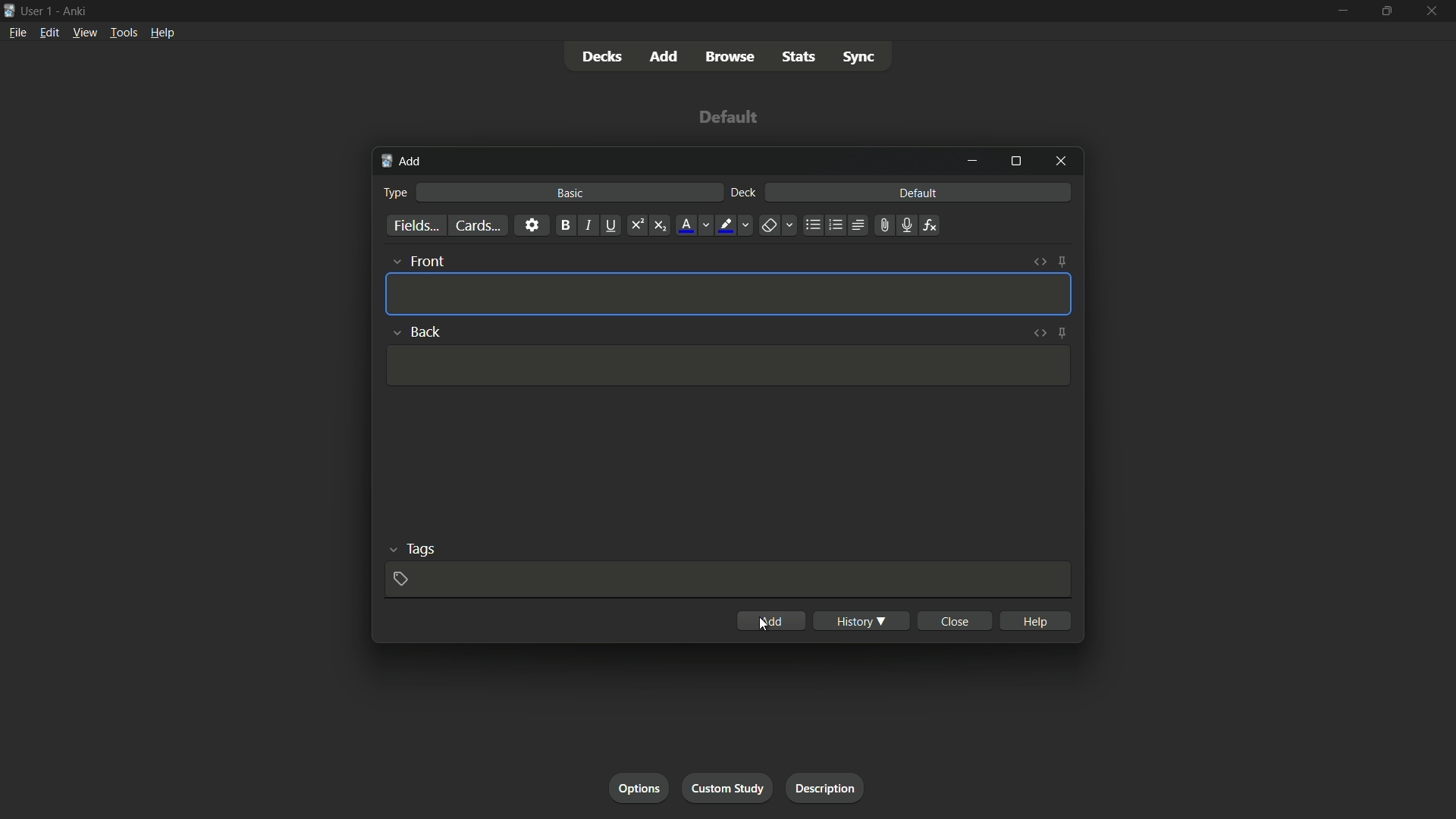 The width and height of the screenshot is (1456, 819). I want to click on maximize, so click(1015, 162).